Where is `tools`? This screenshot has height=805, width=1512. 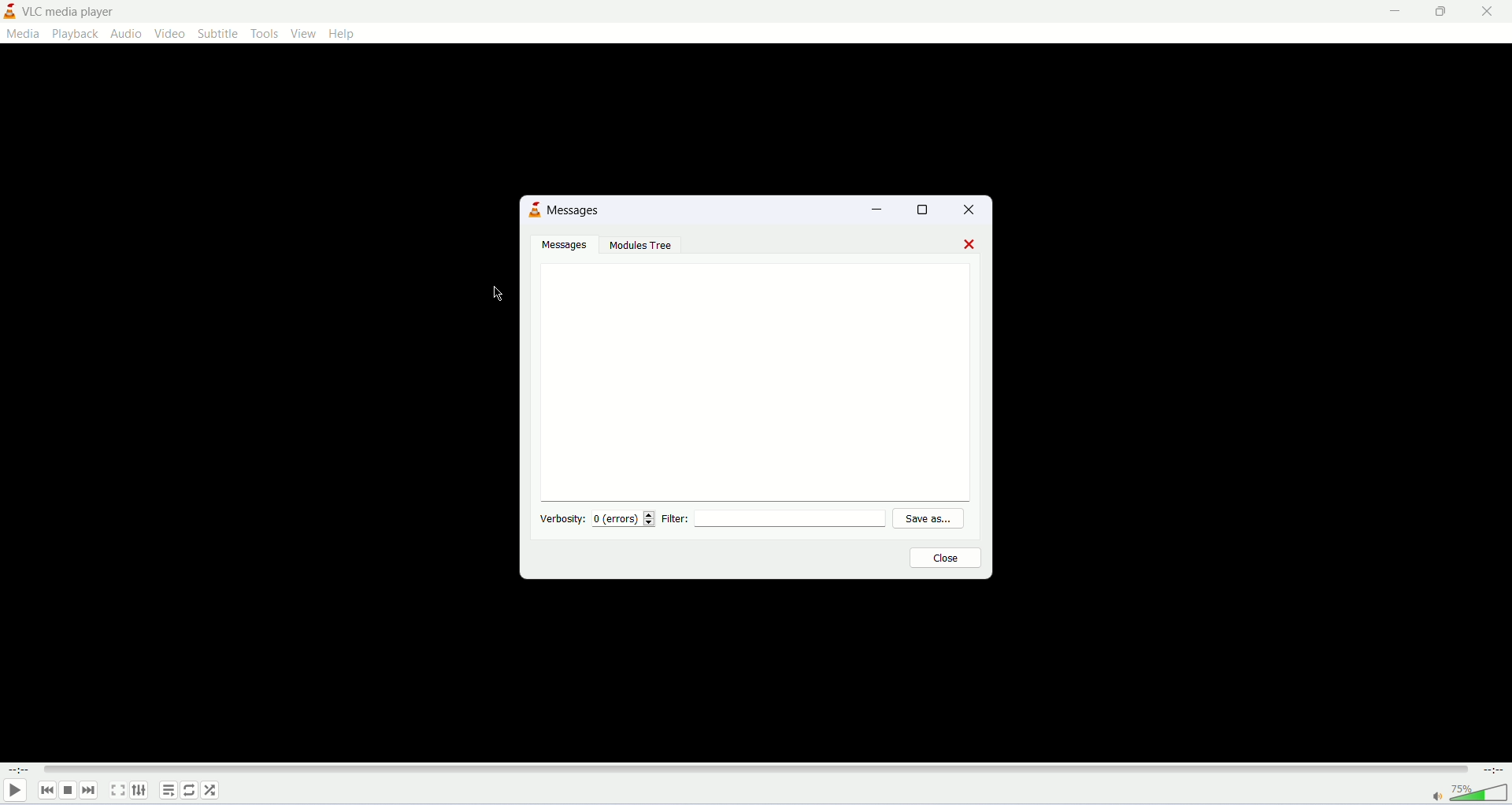 tools is located at coordinates (263, 32).